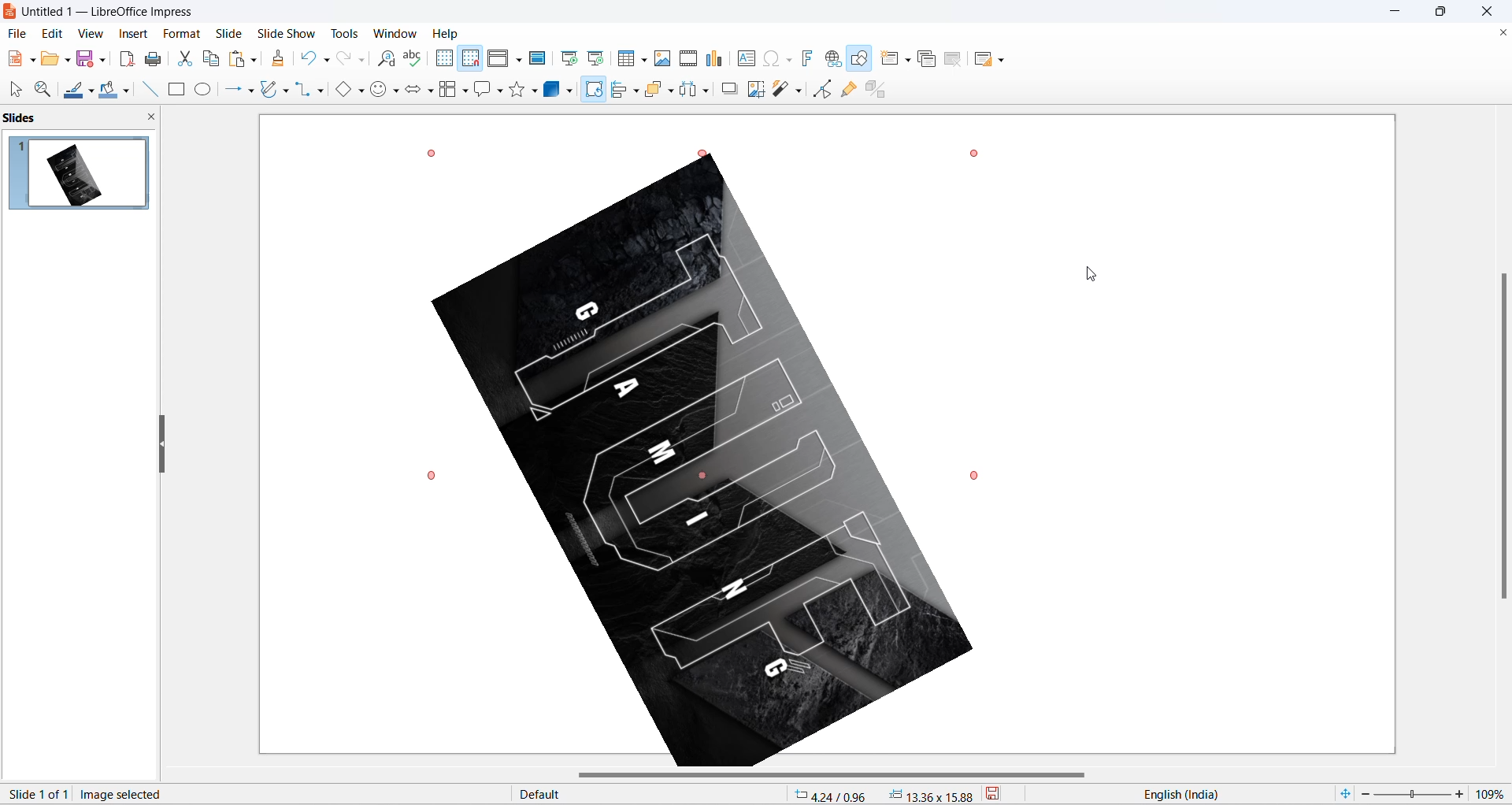 This screenshot has width=1512, height=805. What do you see at coordinates (83, 118) in the screenshot?
I see `slides and close slide` at bounding box center [83, 118].